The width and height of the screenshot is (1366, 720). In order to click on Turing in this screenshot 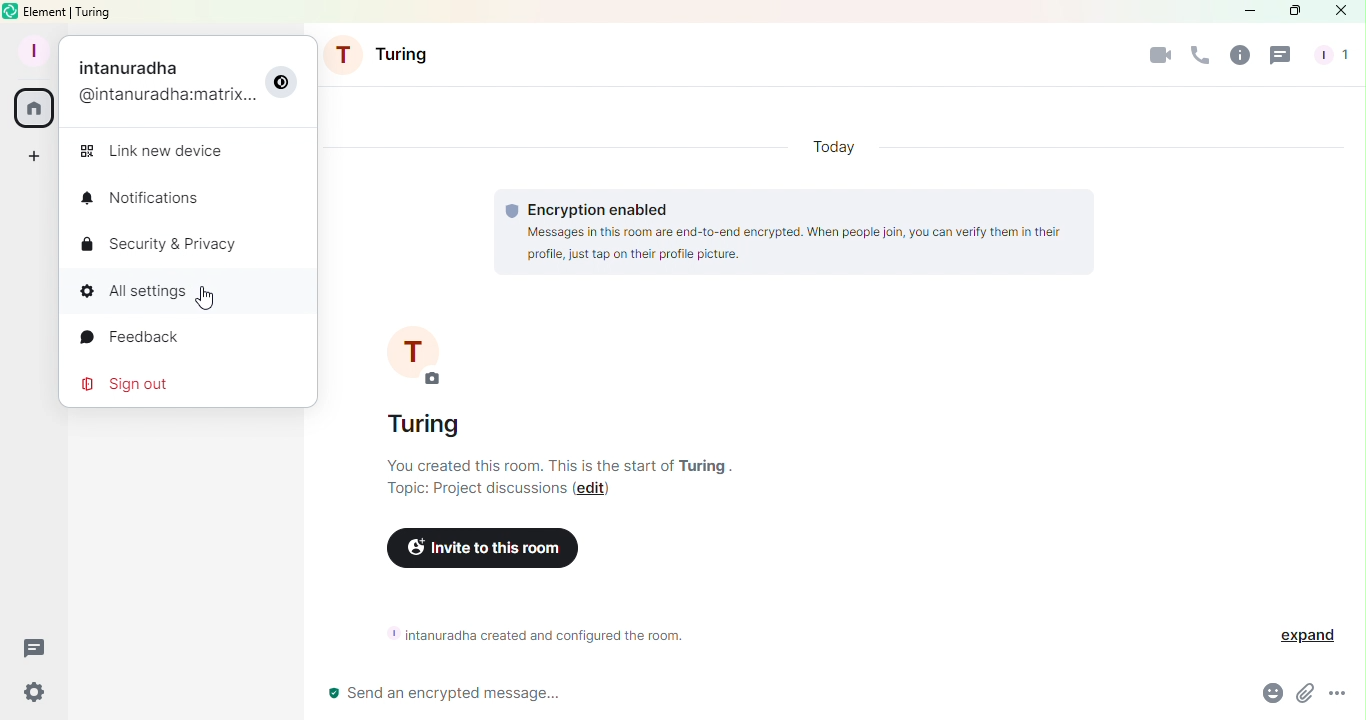, I will do `click(383, 59)`.